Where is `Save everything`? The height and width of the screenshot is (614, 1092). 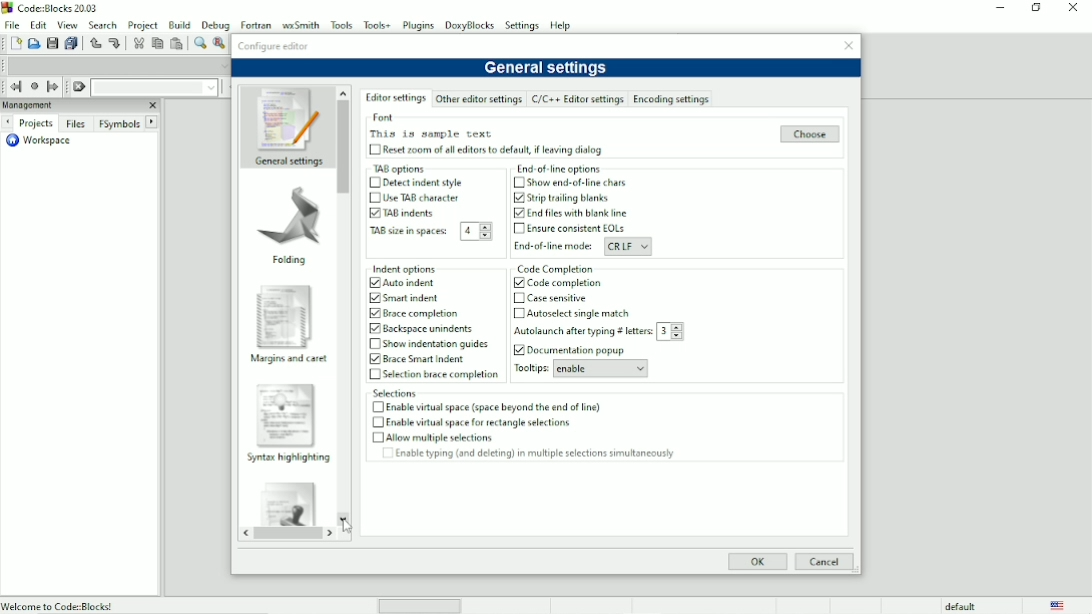
Save everything is located at coordinates (70, 43).